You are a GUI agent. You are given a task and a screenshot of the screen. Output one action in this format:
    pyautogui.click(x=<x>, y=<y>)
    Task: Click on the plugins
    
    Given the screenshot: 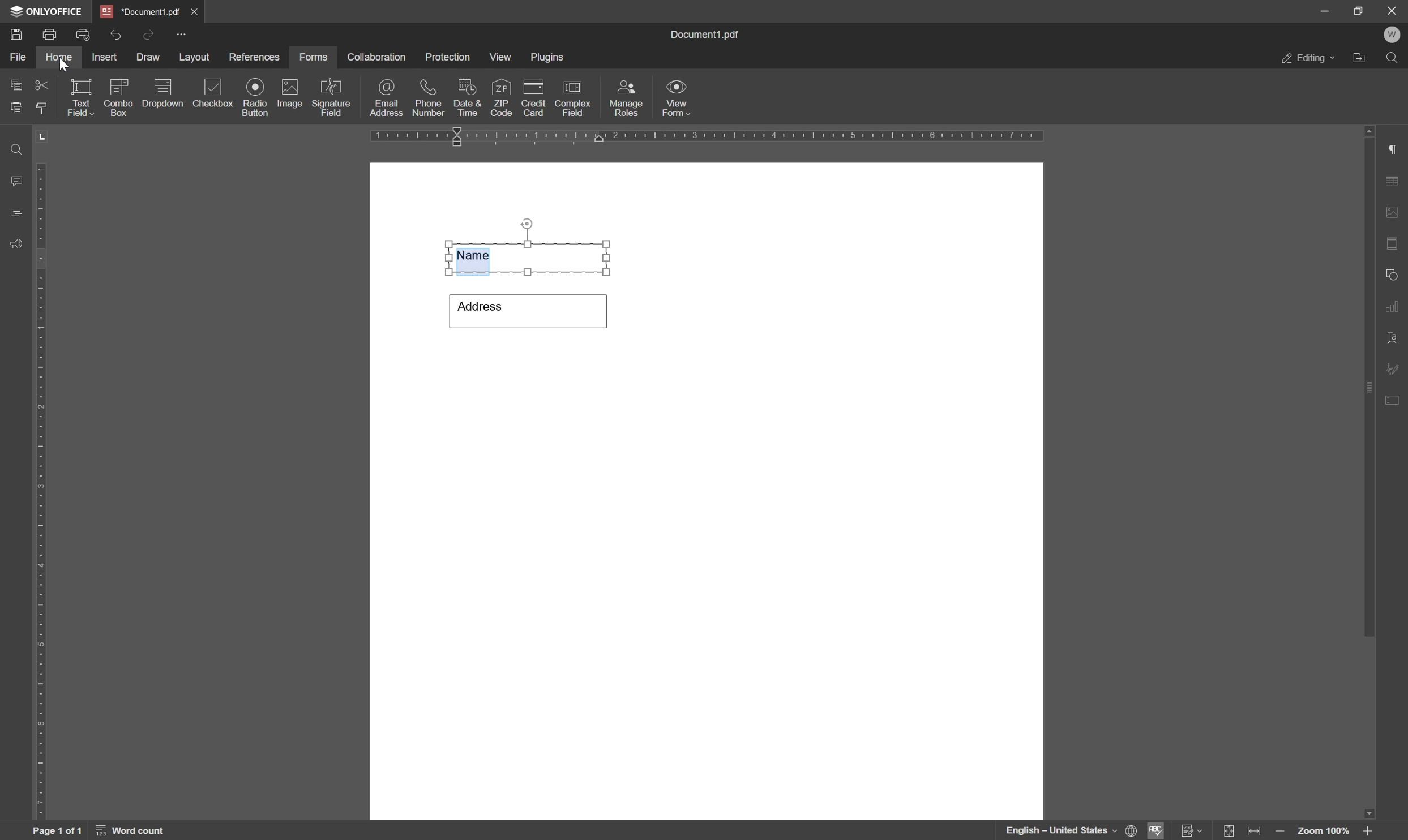 What is the action you would take?
    pyautogui.click(x=549, y=58)
    